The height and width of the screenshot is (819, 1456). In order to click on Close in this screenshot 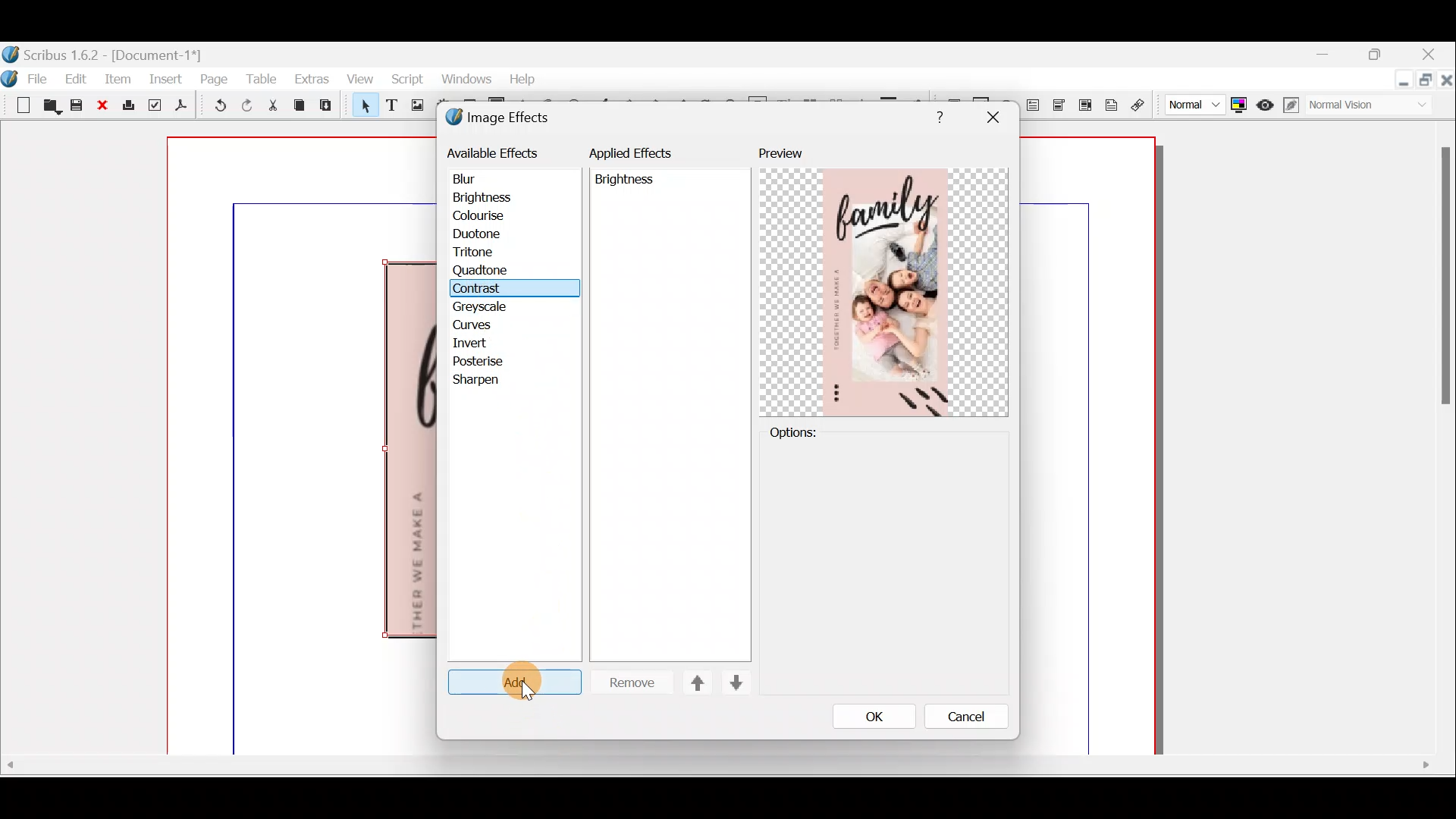, I will do `click(1447, 83)`.